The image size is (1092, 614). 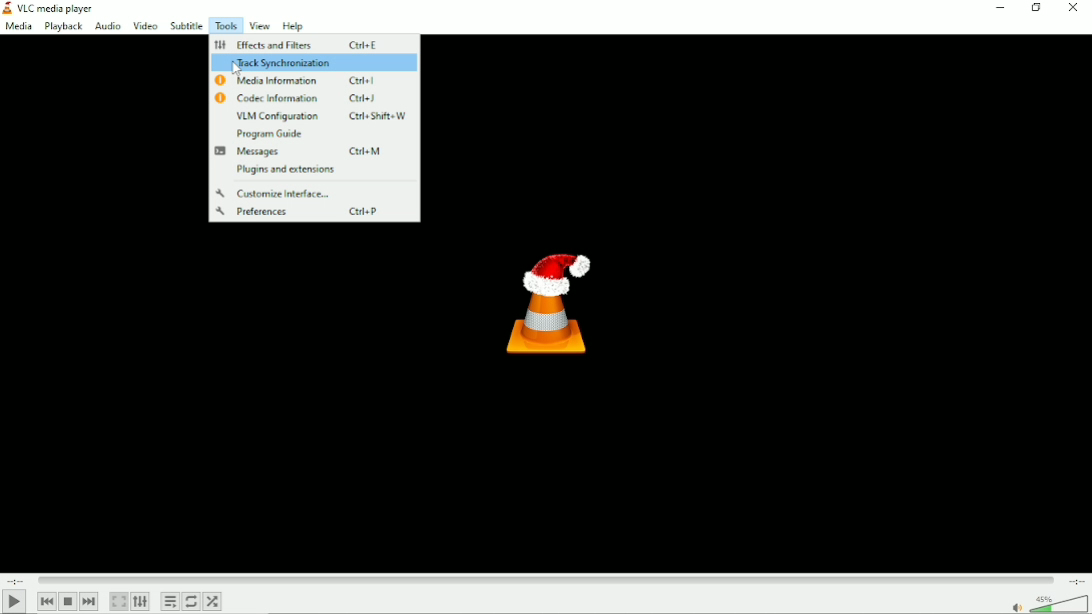 I want to click on Effects and filters, so click(x=297, y=44).